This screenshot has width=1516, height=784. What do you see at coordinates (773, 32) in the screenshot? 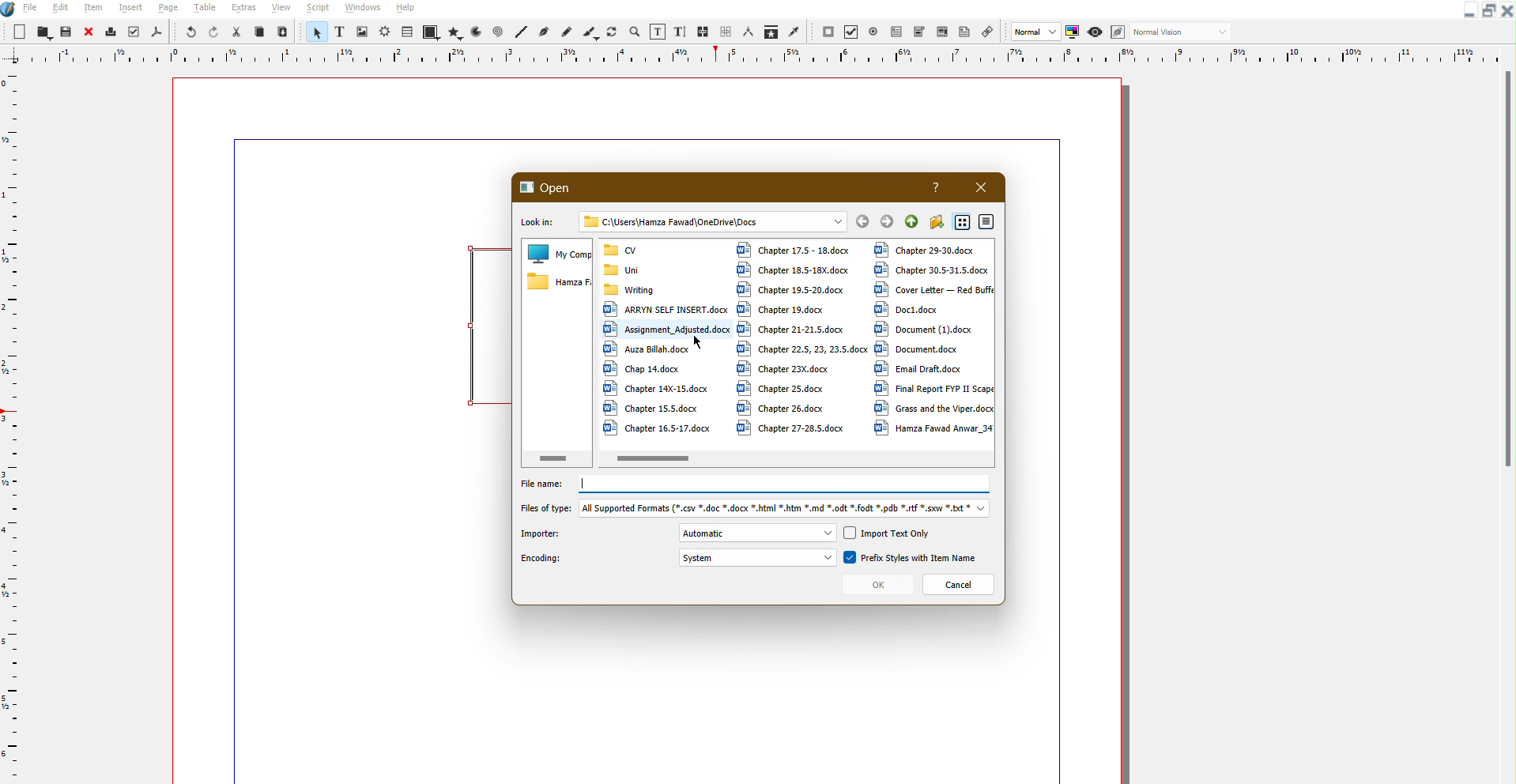
I see `Misc Tools` at bounding box center [773, 32].